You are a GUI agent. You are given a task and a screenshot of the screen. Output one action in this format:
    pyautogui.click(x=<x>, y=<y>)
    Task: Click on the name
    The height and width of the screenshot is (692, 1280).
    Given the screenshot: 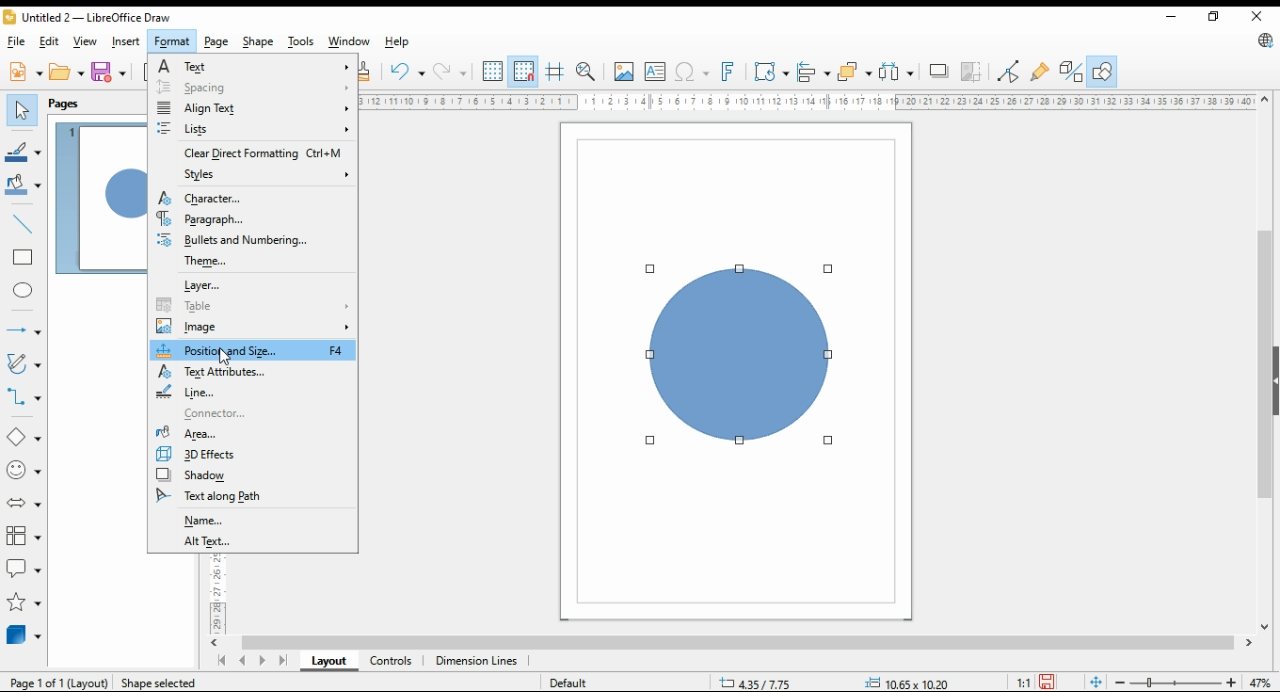 What is the action you would take?
    pyautogui.click(x=250, y=521)
    